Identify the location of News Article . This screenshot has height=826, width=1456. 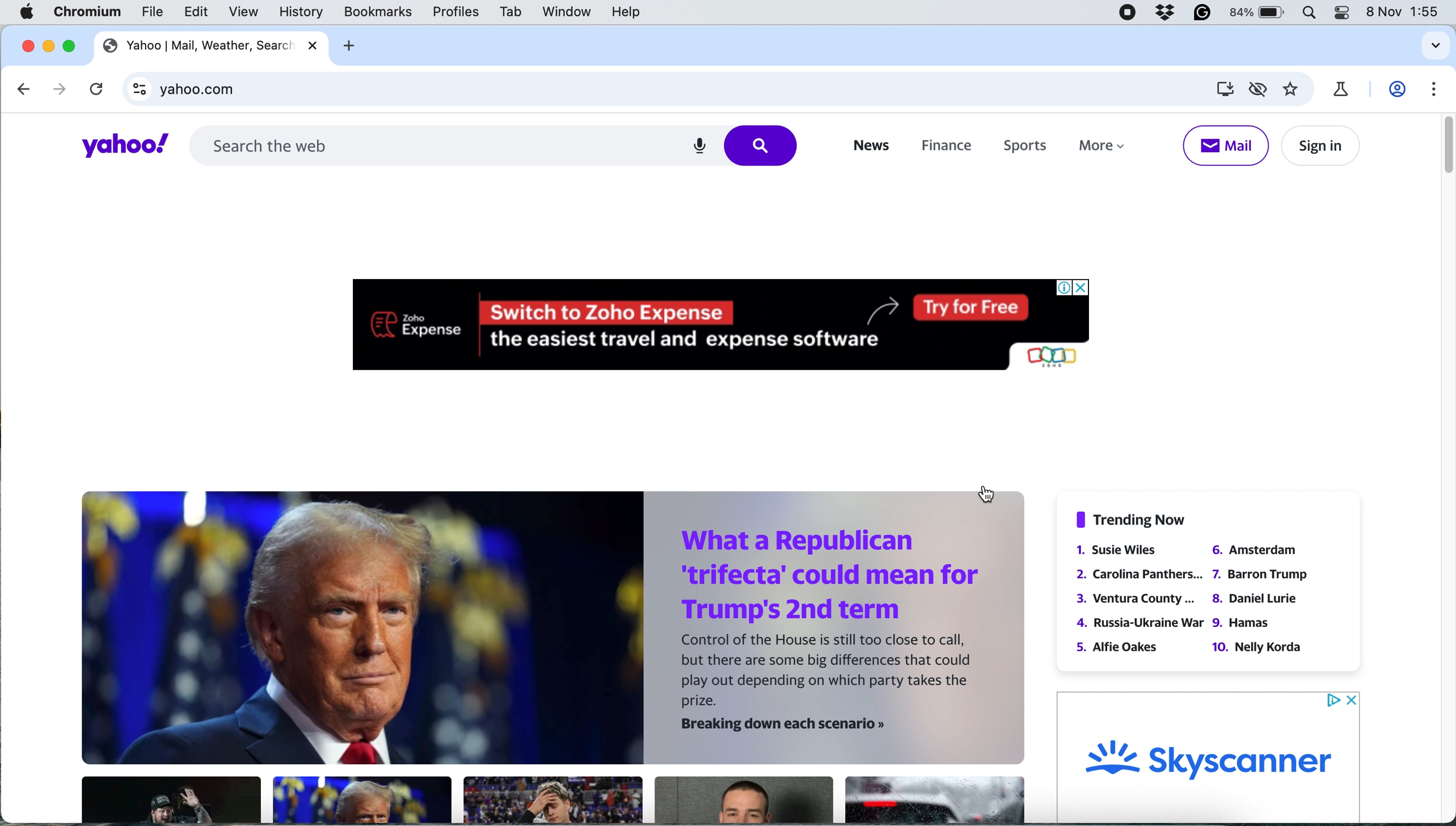
(362, 800).